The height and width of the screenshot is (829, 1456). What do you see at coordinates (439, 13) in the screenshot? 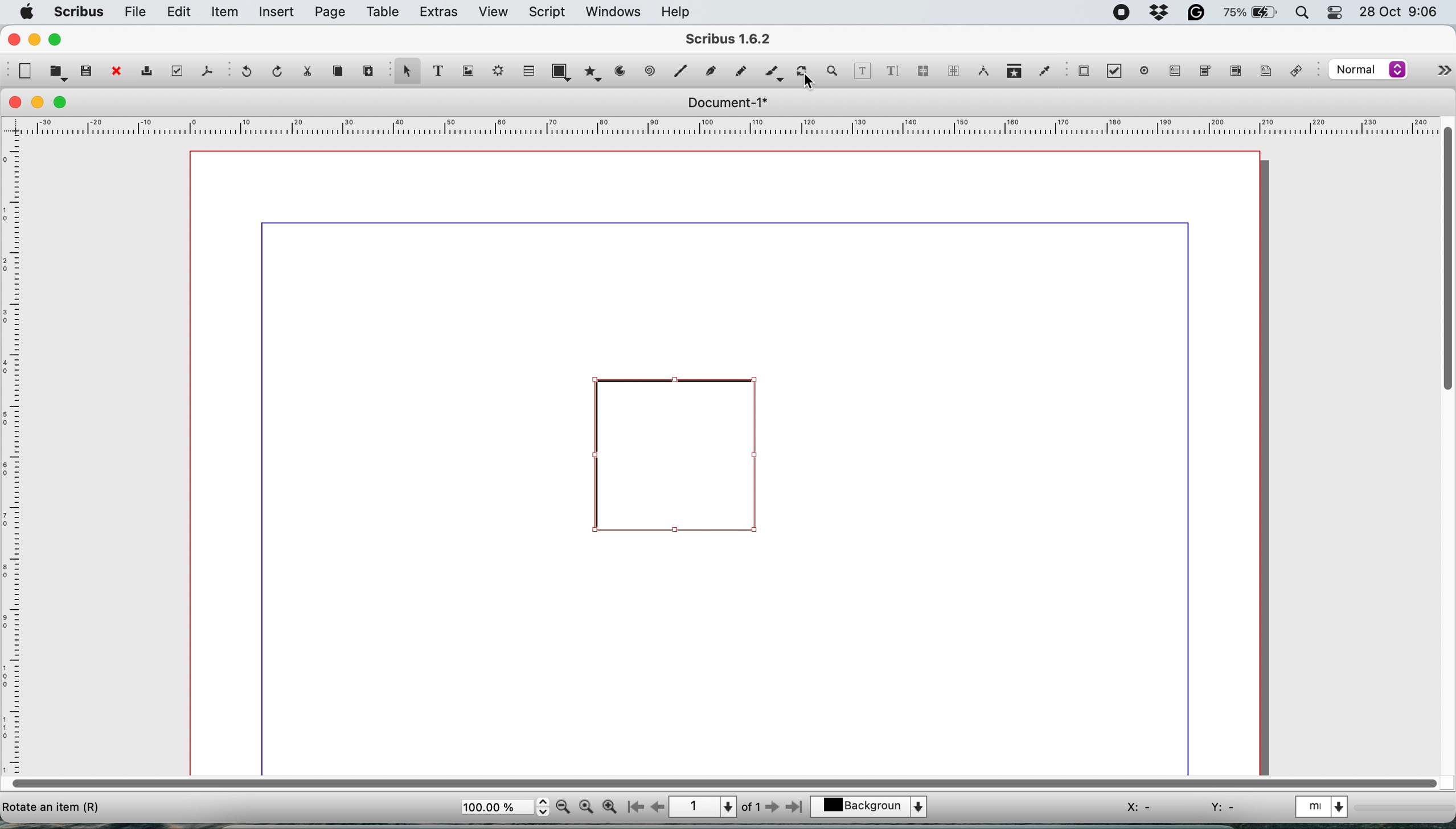
I see `extras` at bounding box center [439, 13].